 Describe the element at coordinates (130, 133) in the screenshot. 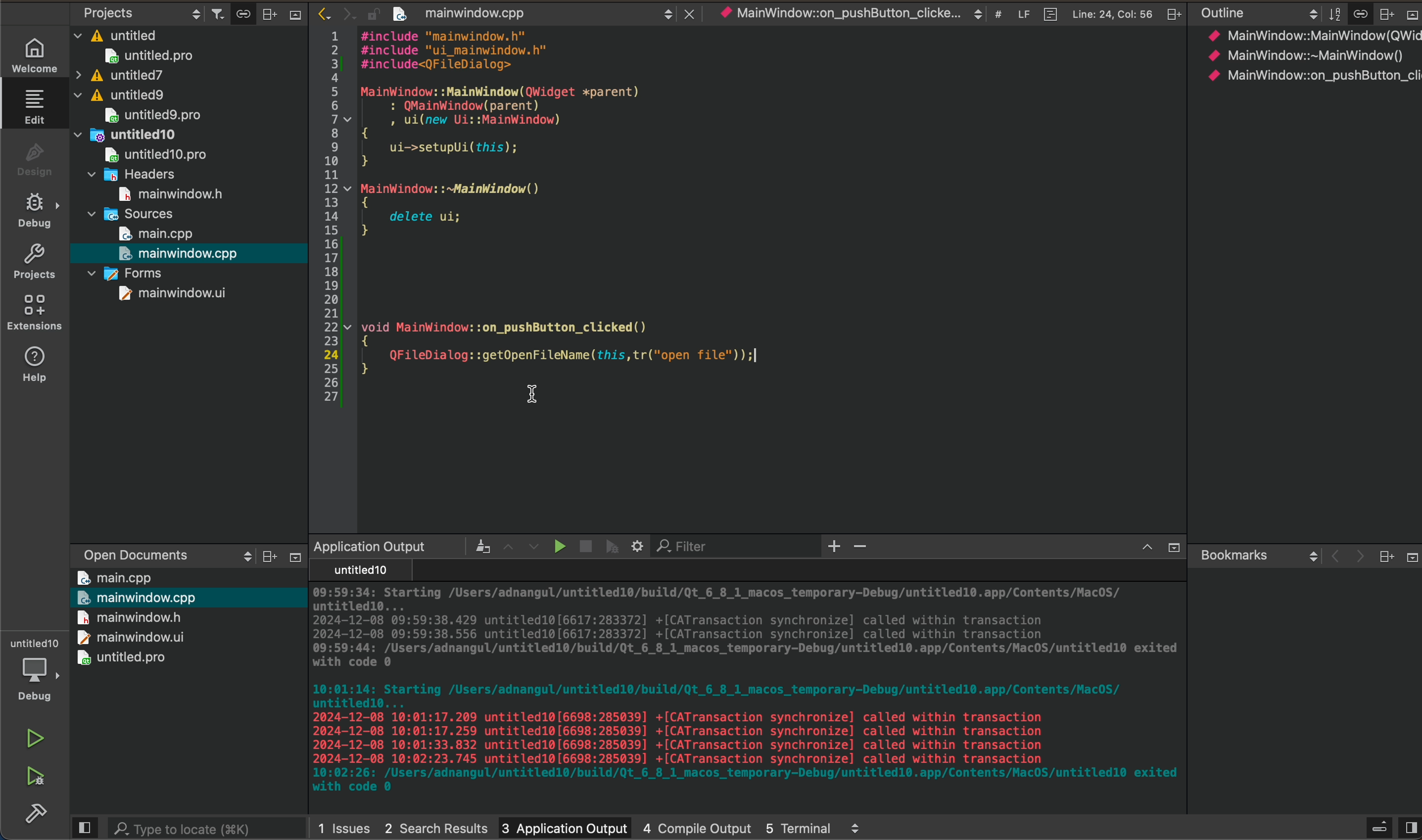

I see `untitled10` at that location.